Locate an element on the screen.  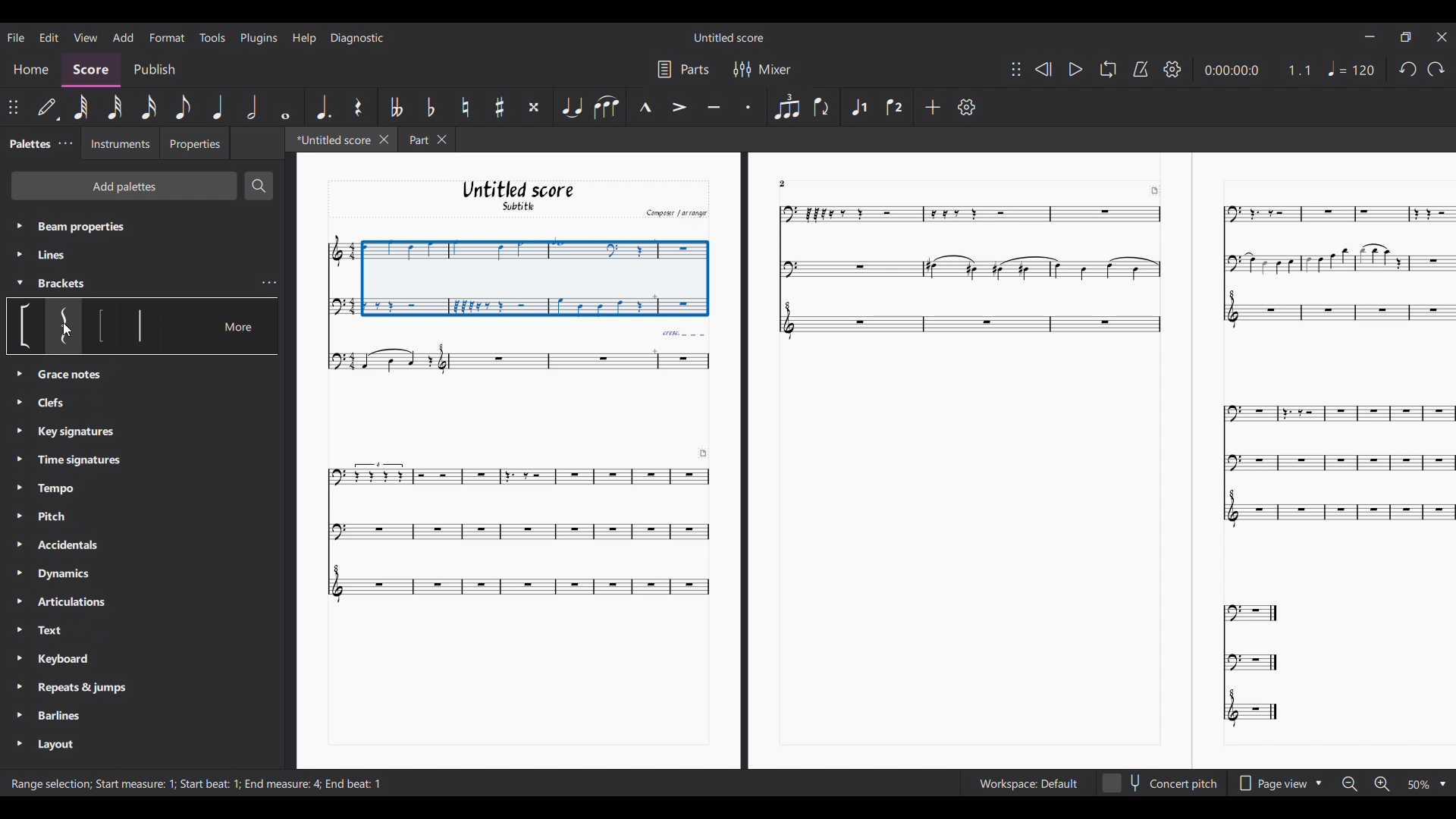
 is located at coordinates (664, 67).